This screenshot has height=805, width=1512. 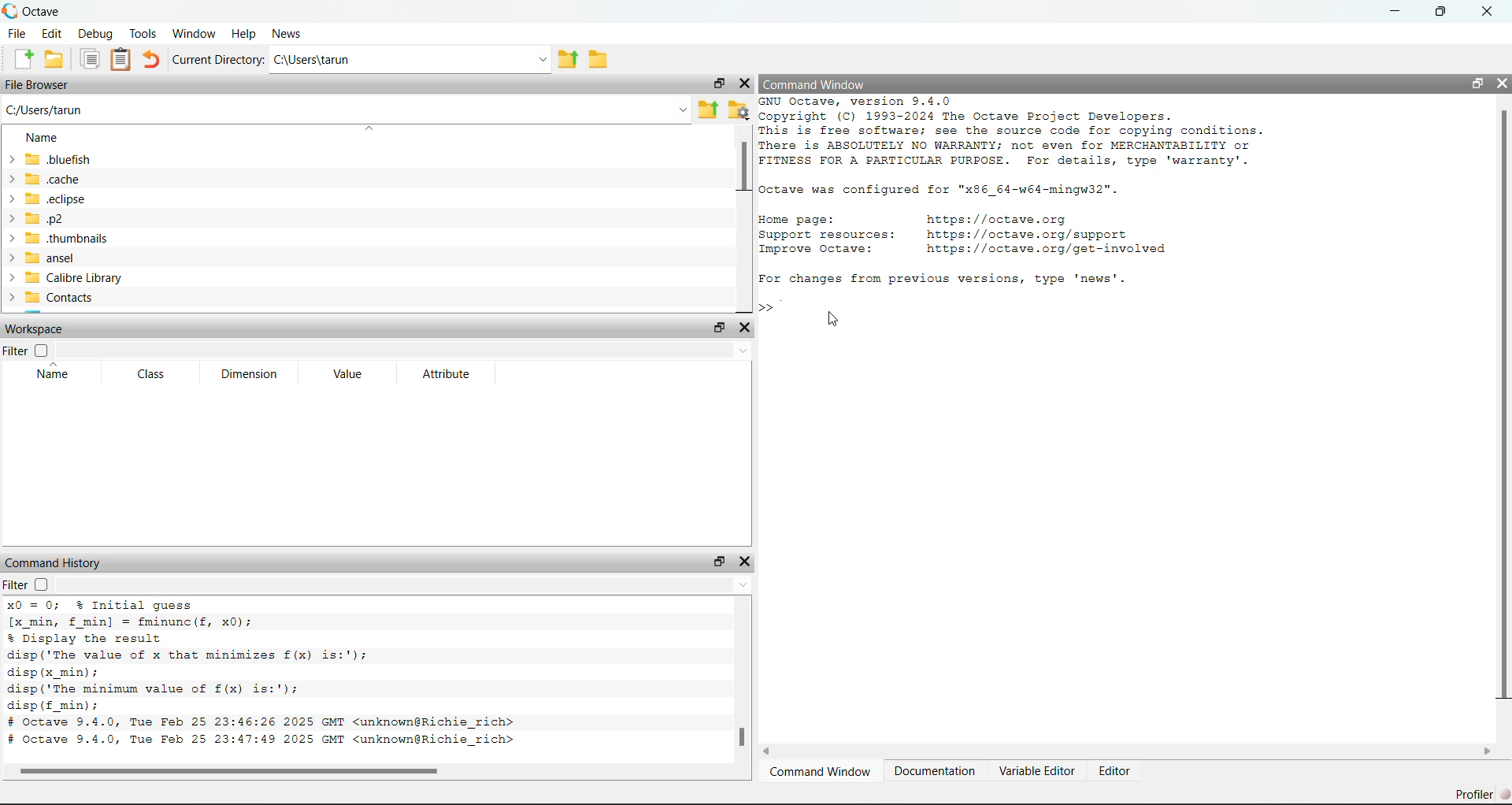 I want to click on one directory up, so click(x=570, y=61).